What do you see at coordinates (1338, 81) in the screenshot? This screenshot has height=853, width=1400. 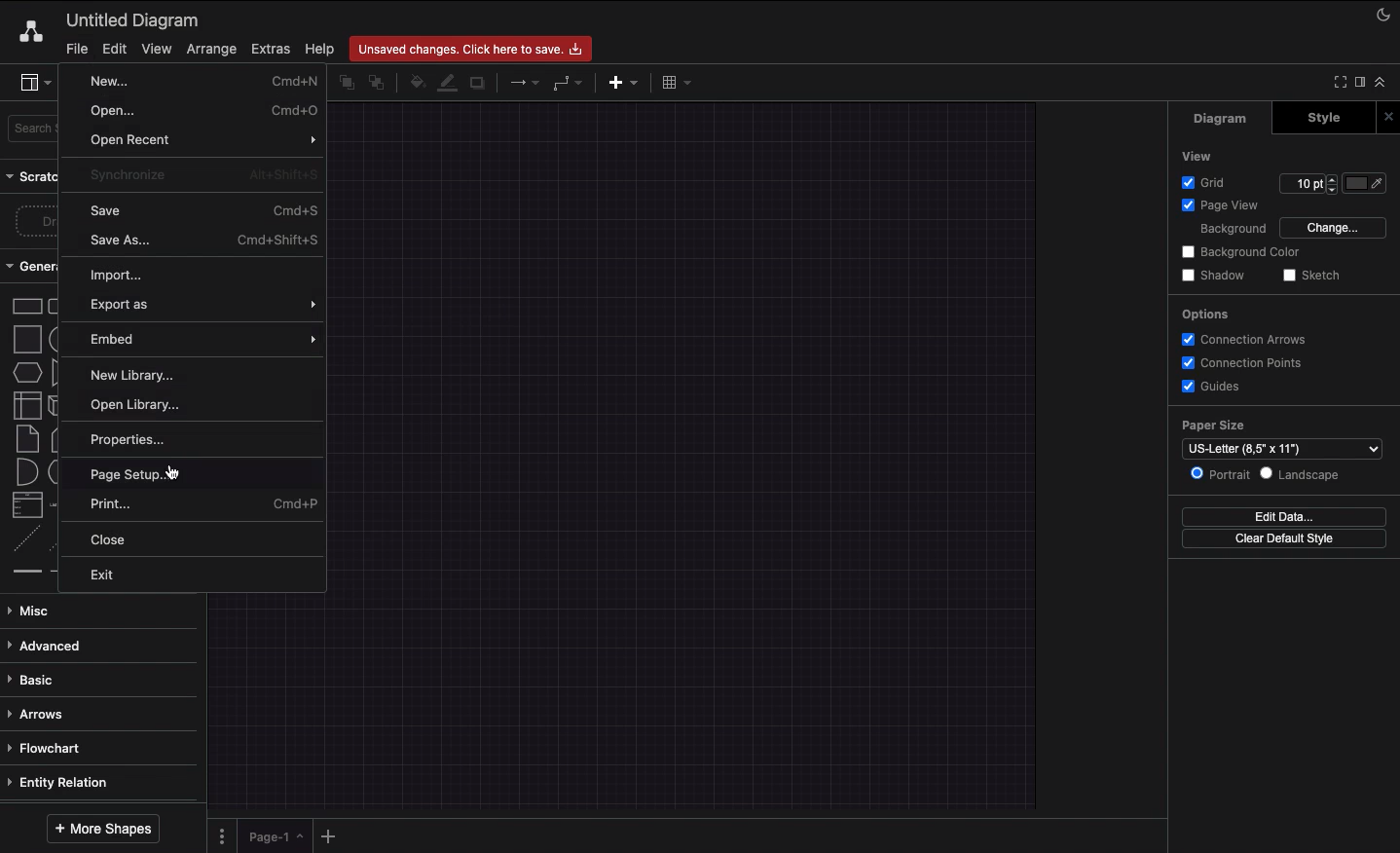 I see `Full screen` at bounding box center [1338, 81].